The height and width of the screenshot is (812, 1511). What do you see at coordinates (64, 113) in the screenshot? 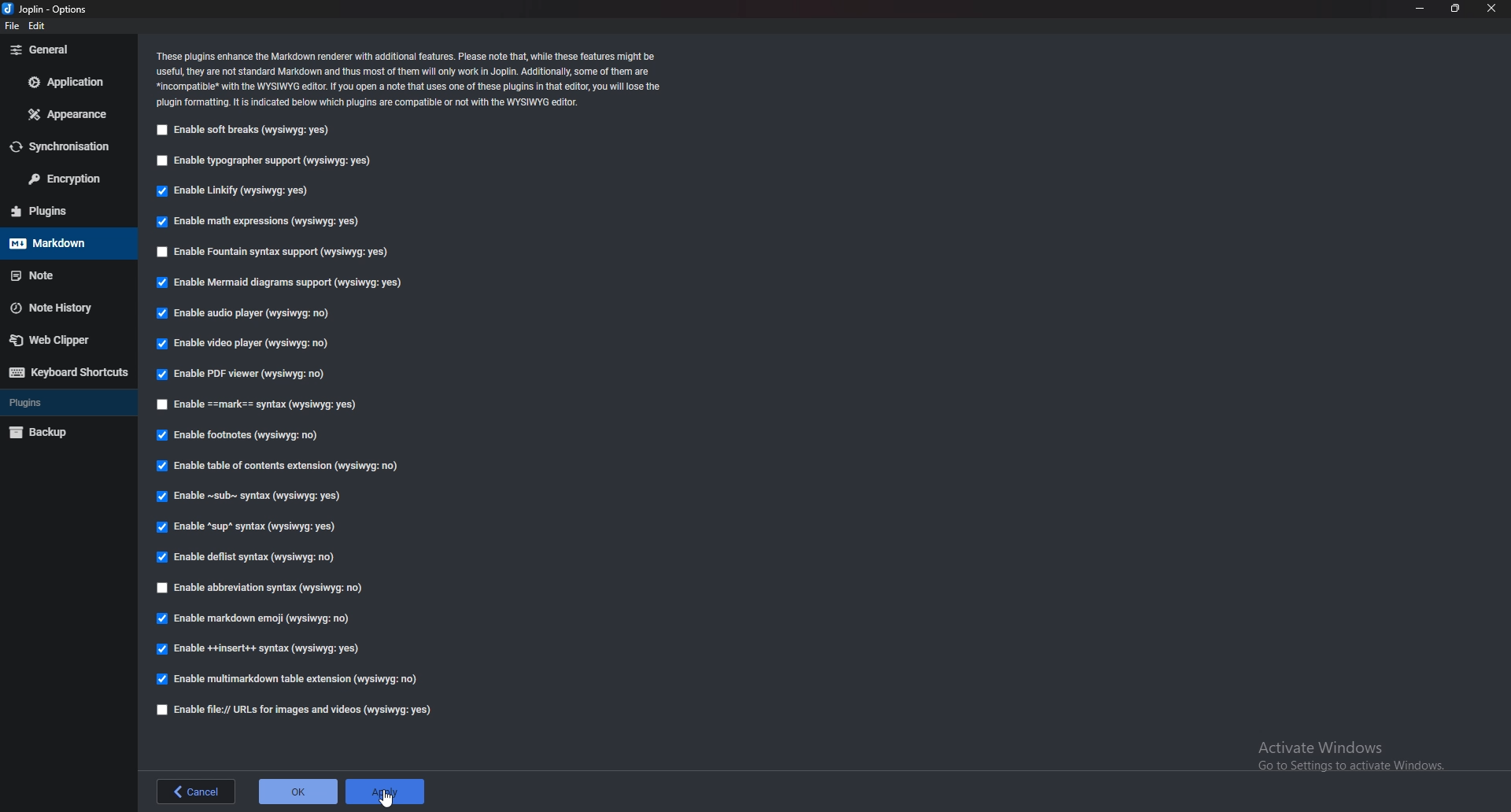
I see `Appearance` at bounding box center [64, 113].